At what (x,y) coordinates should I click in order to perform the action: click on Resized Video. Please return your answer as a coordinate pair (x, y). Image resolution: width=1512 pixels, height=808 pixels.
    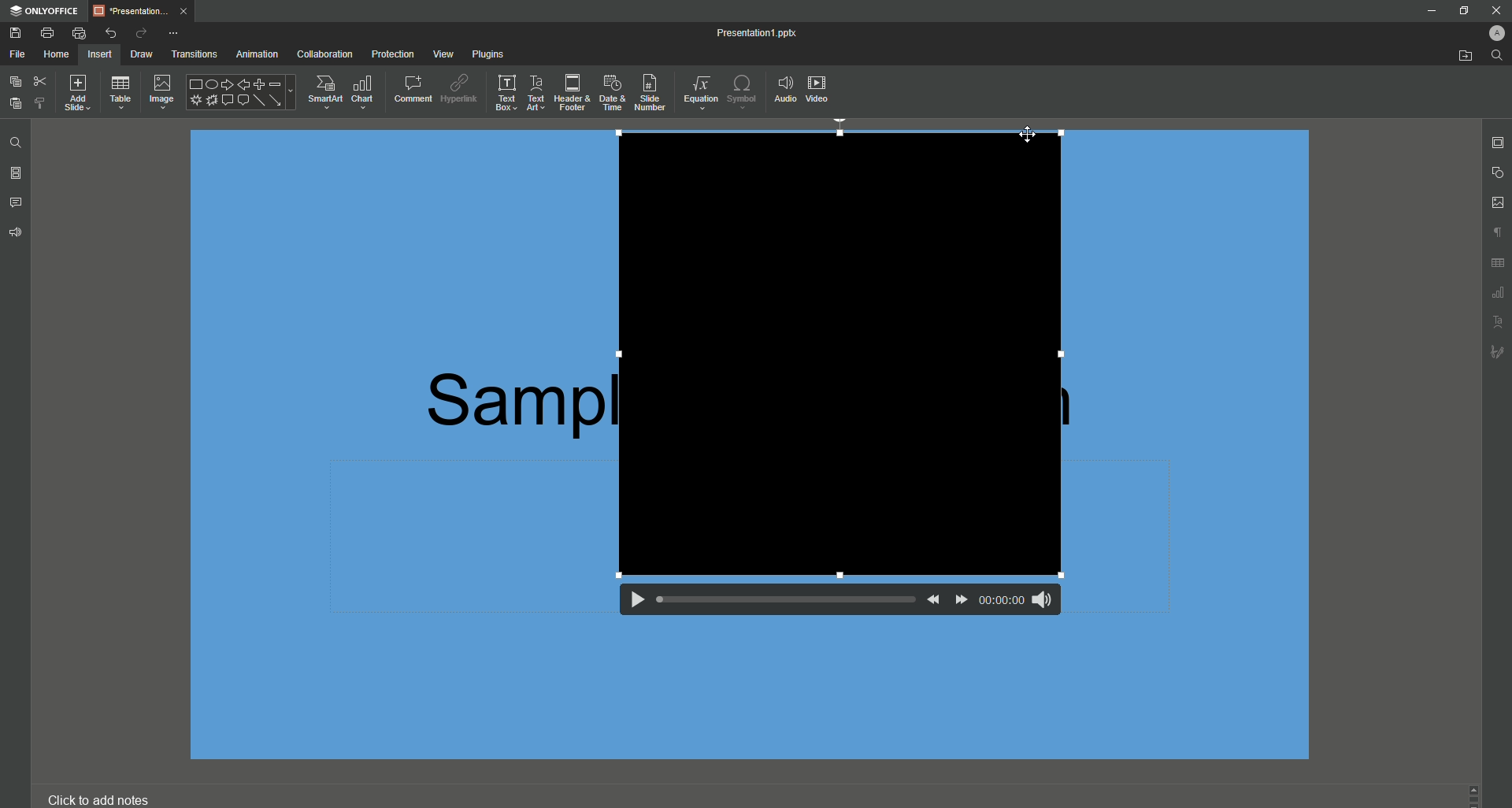
    Looking at the image, I should click on (840, 353).